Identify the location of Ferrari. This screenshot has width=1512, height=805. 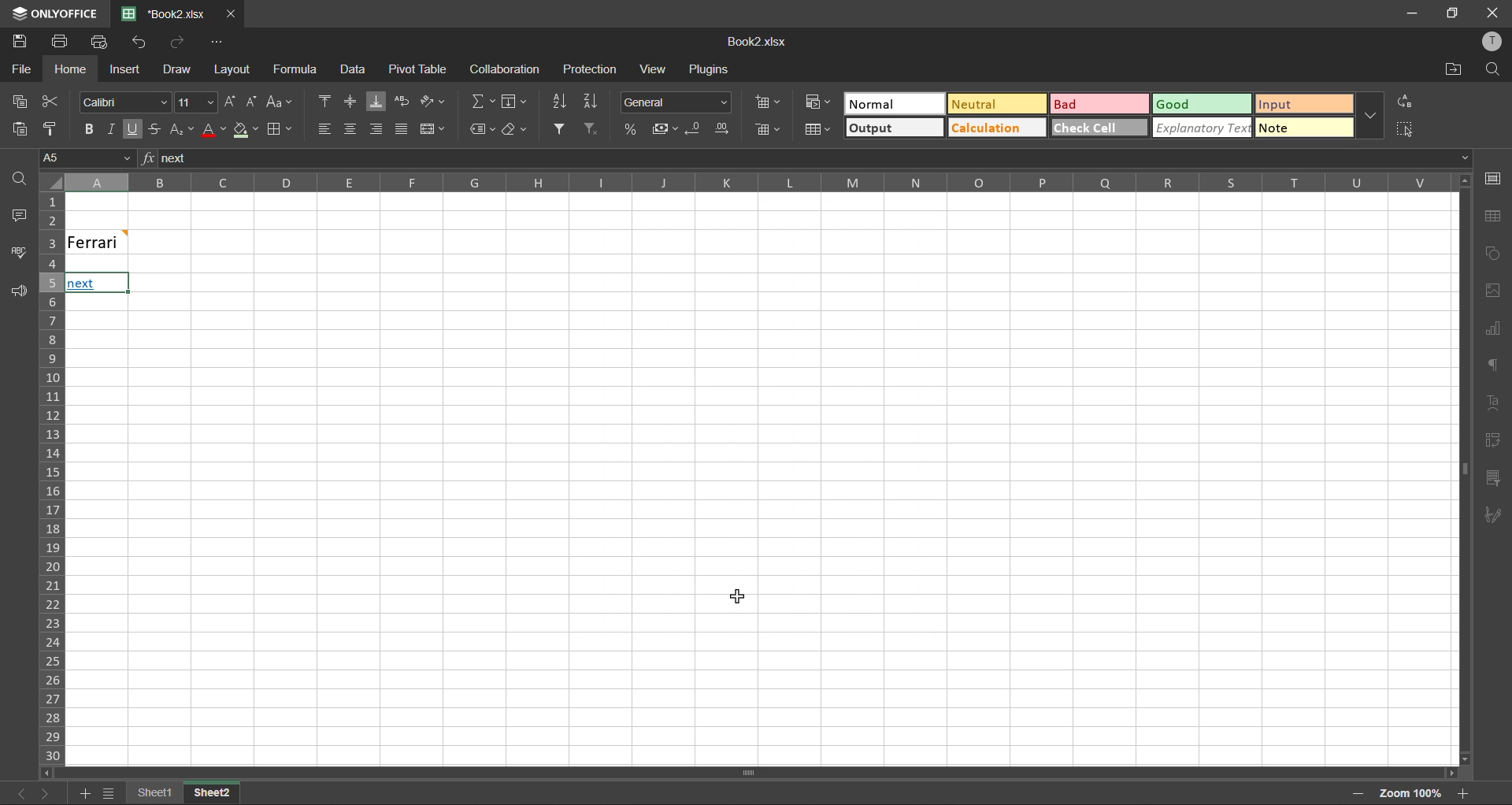
(120, 241).